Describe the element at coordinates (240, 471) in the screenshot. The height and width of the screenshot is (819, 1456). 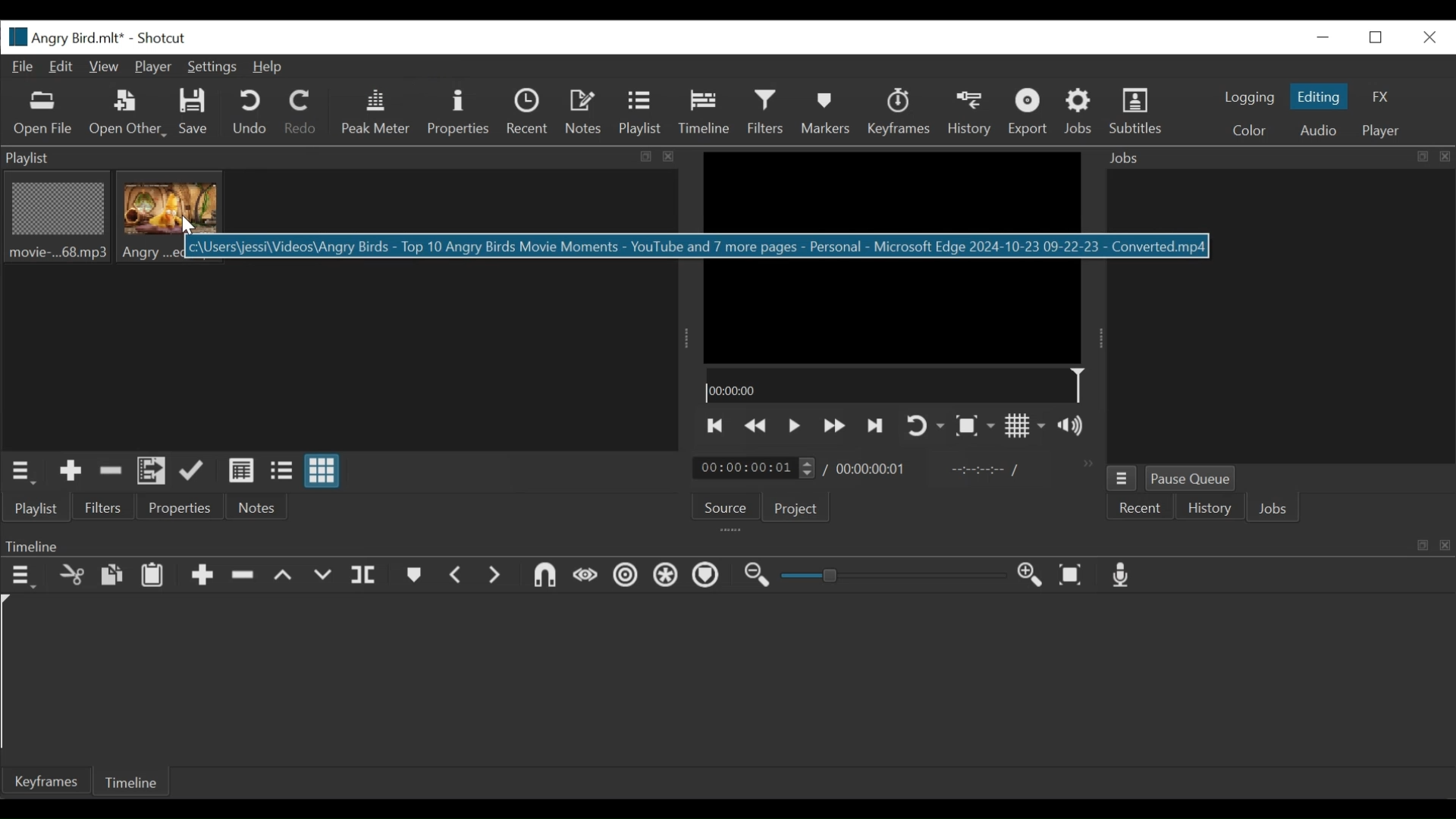
I see `View as detail` at that location.